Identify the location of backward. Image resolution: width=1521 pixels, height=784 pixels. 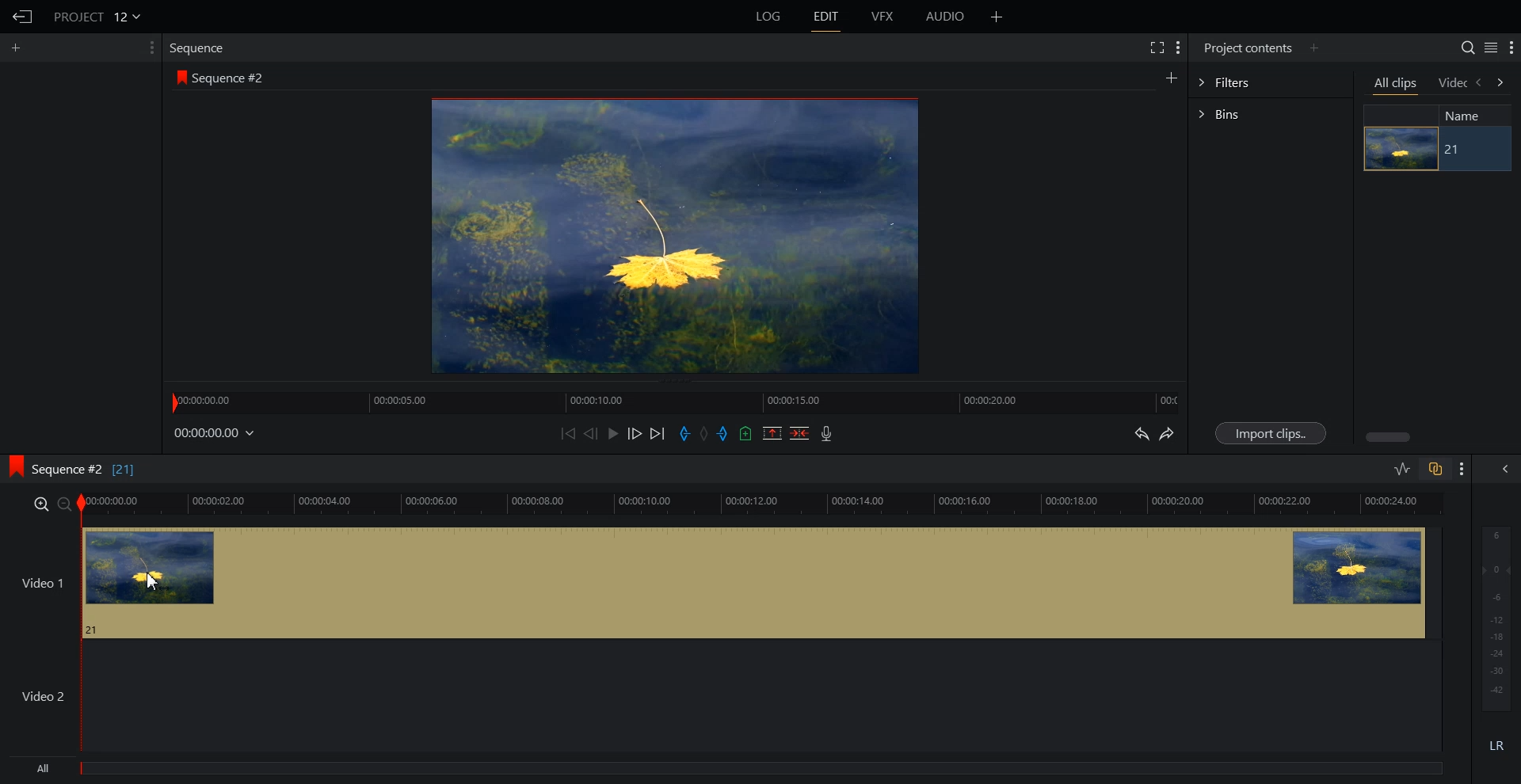
(1481, 84).